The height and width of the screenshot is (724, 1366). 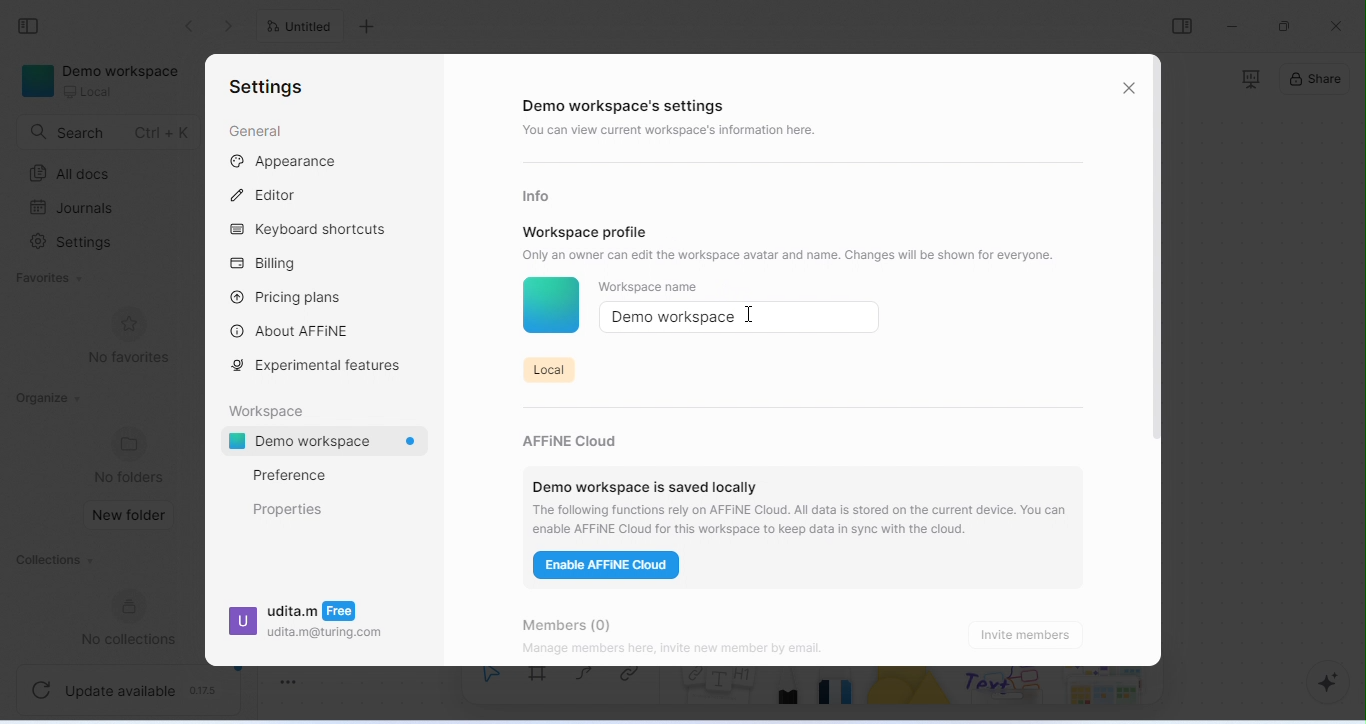 What do you see at coordinates (232, 26) in the screenshot?
I see `go previous` at bounding box center [232, 26].